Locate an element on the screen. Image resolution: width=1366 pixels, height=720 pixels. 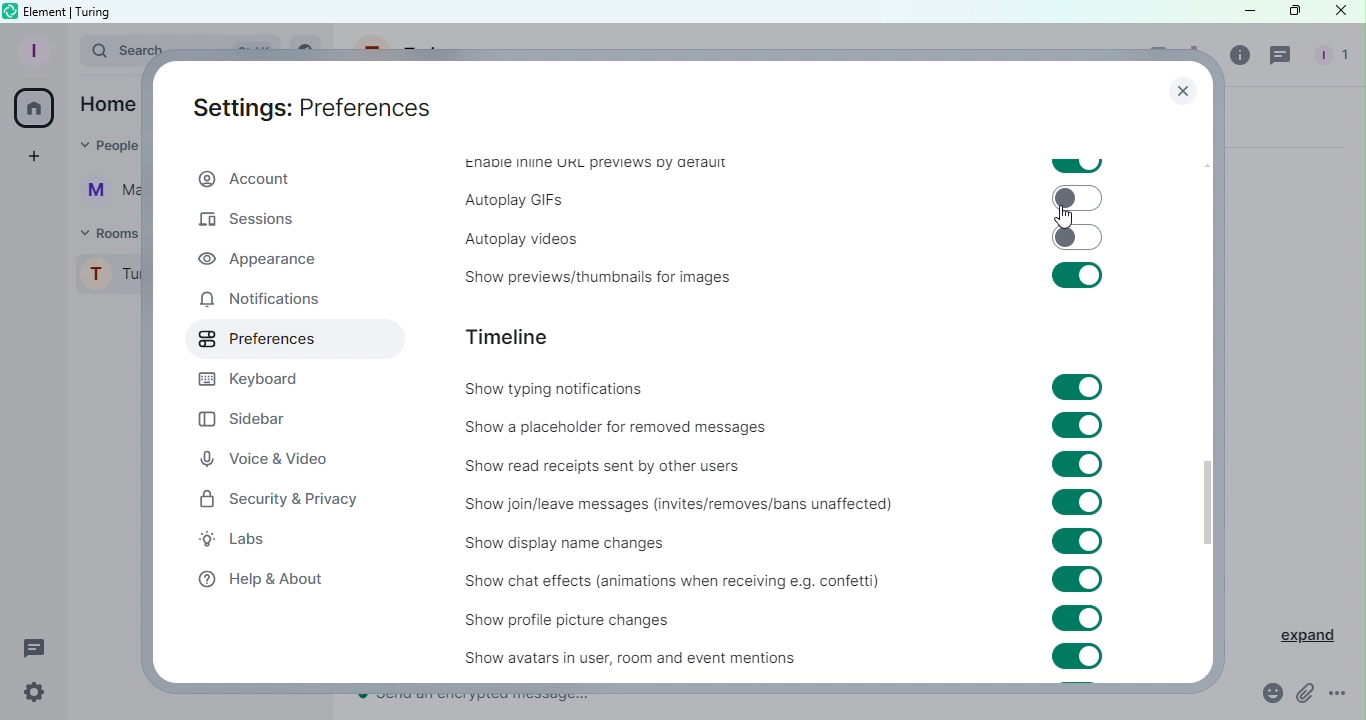
People is located at coordinates (104, 148).